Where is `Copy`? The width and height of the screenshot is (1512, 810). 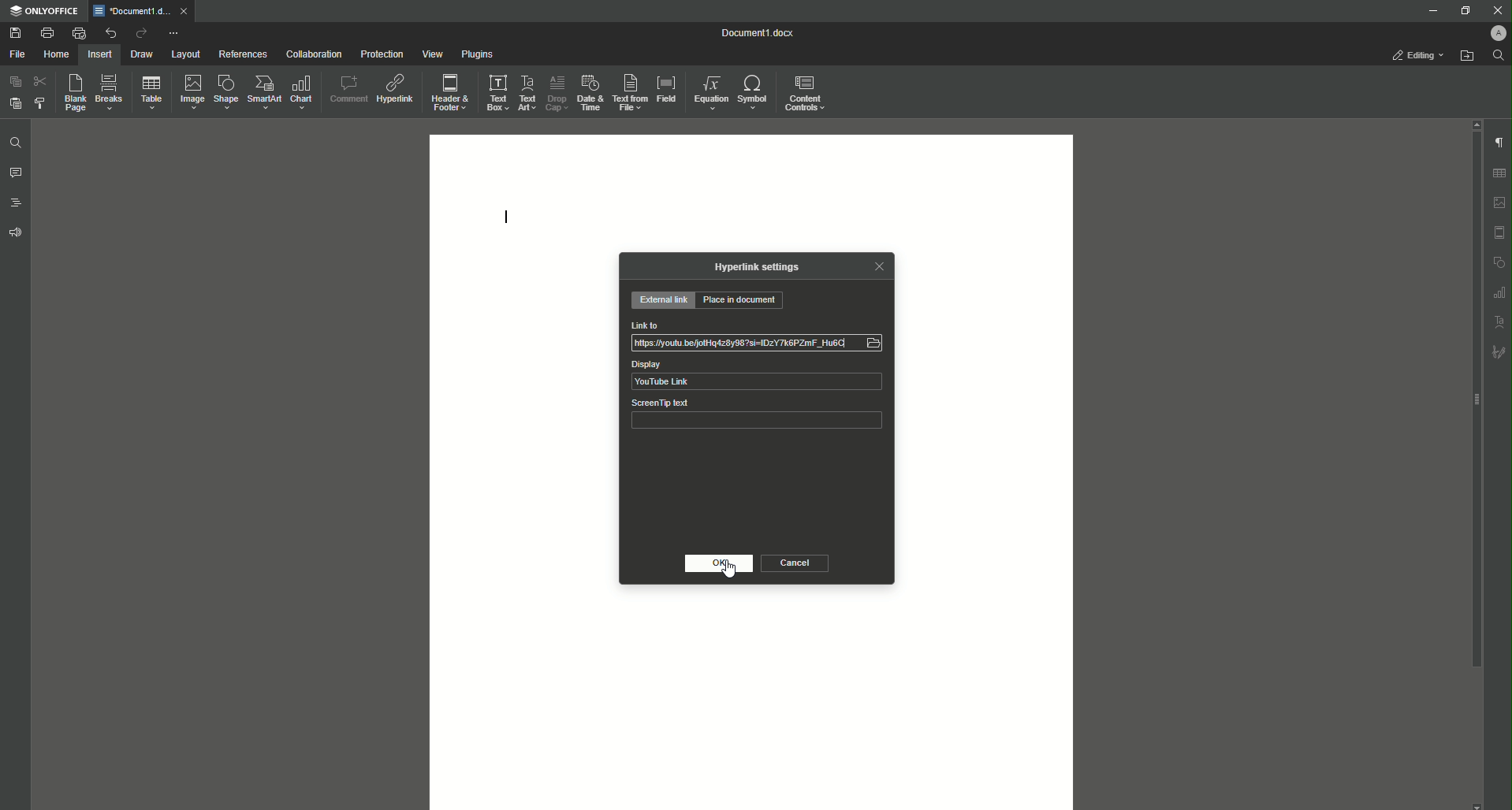 Copy is located at coordinates (15, 81).